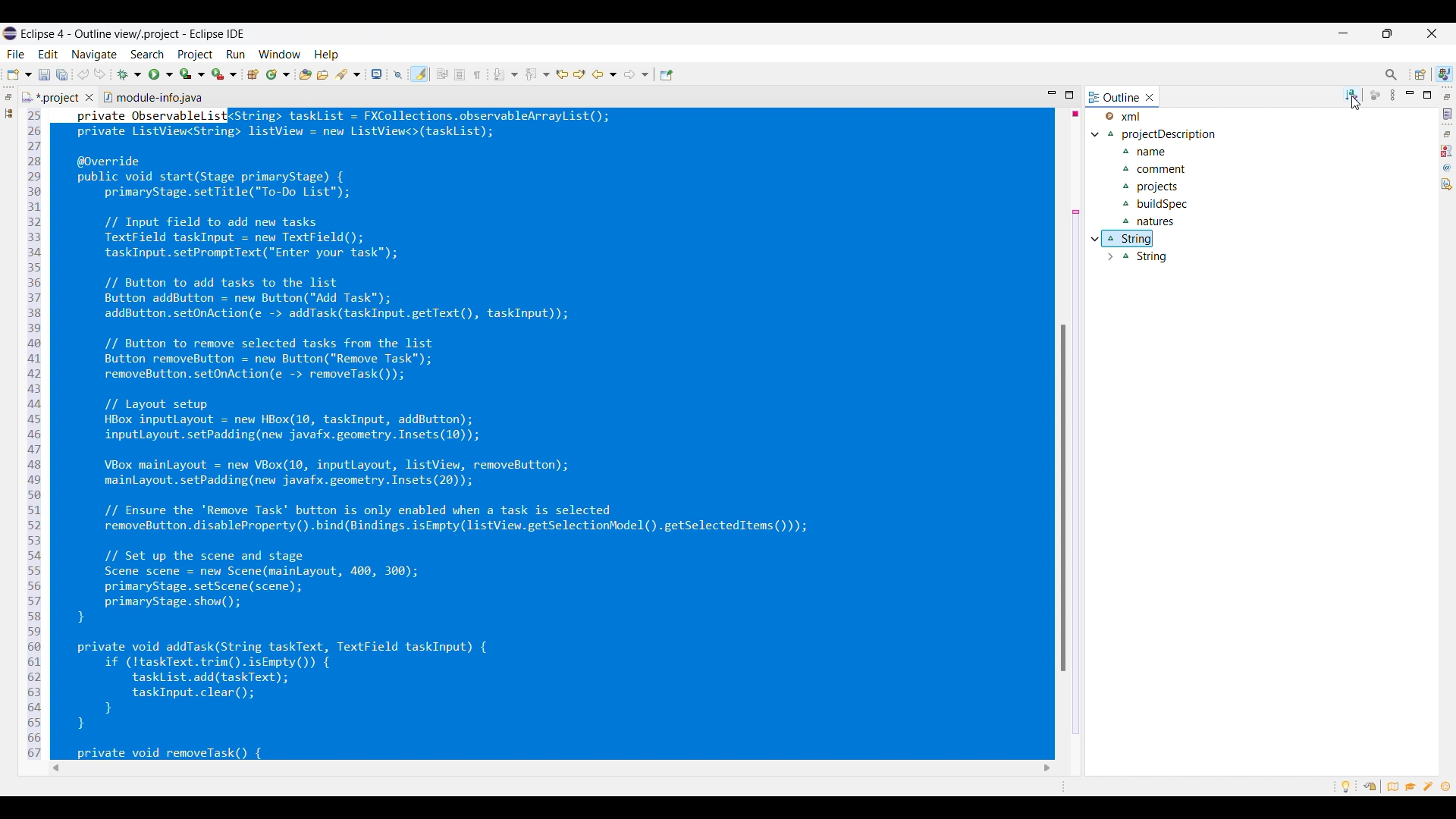 This screenshot has height=819, width=1456. What do you see at coordinates (278, 74) in the screenshot?
I see `New Java class options` at bounding box center [278, 74].